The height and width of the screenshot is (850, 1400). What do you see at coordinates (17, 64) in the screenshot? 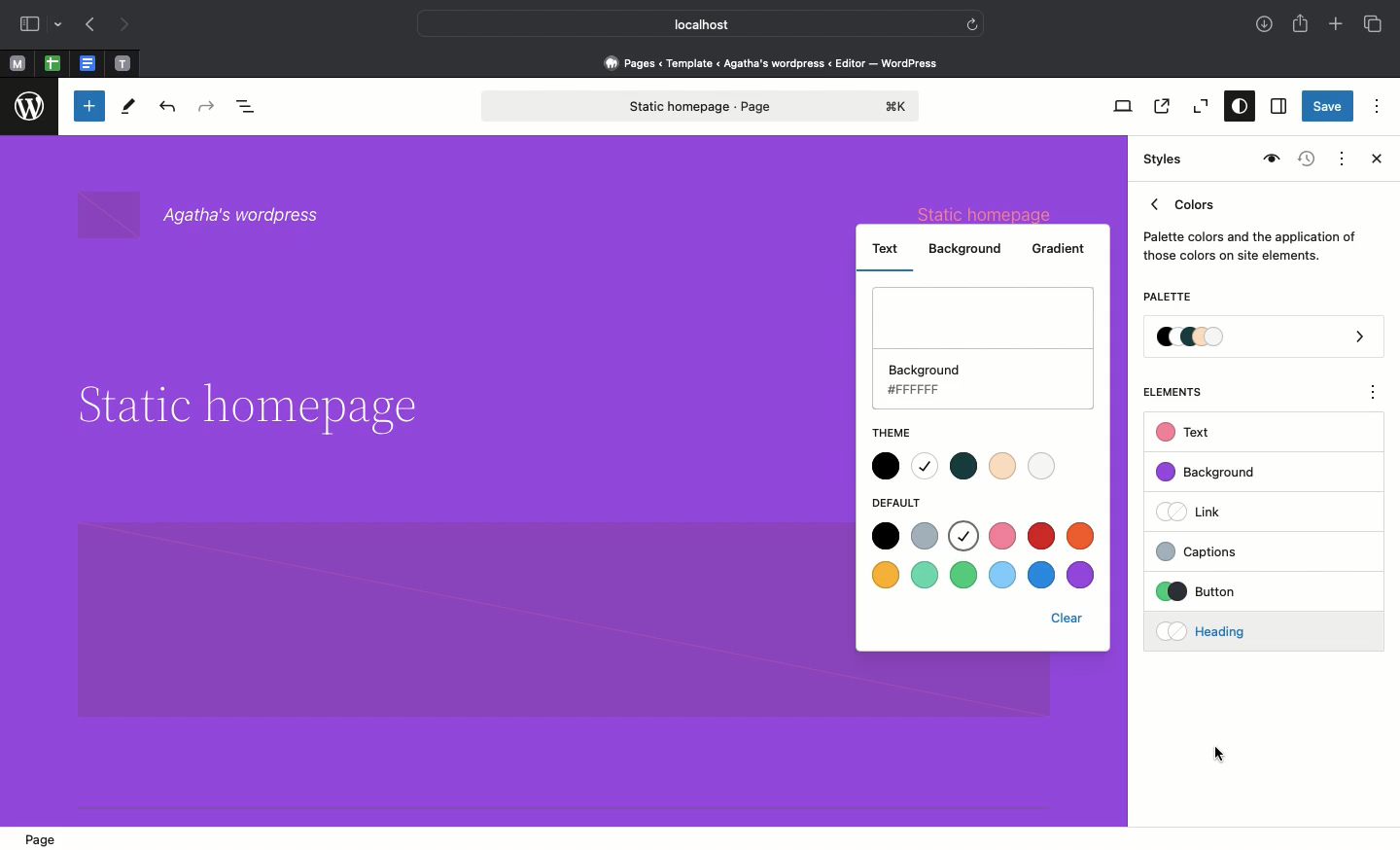
I see `Pinned tab` at bounding box center [17, 64].